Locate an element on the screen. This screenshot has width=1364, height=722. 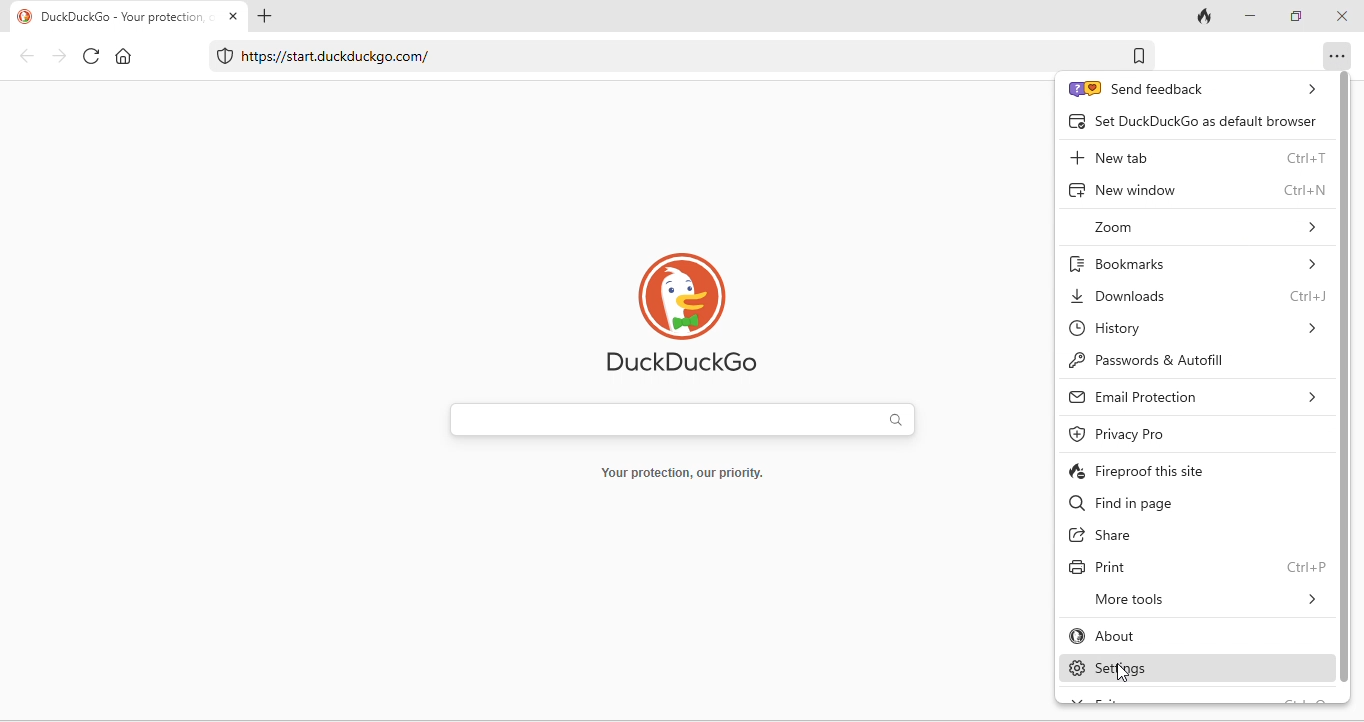
add new tab is located at coordinates (268, 17).